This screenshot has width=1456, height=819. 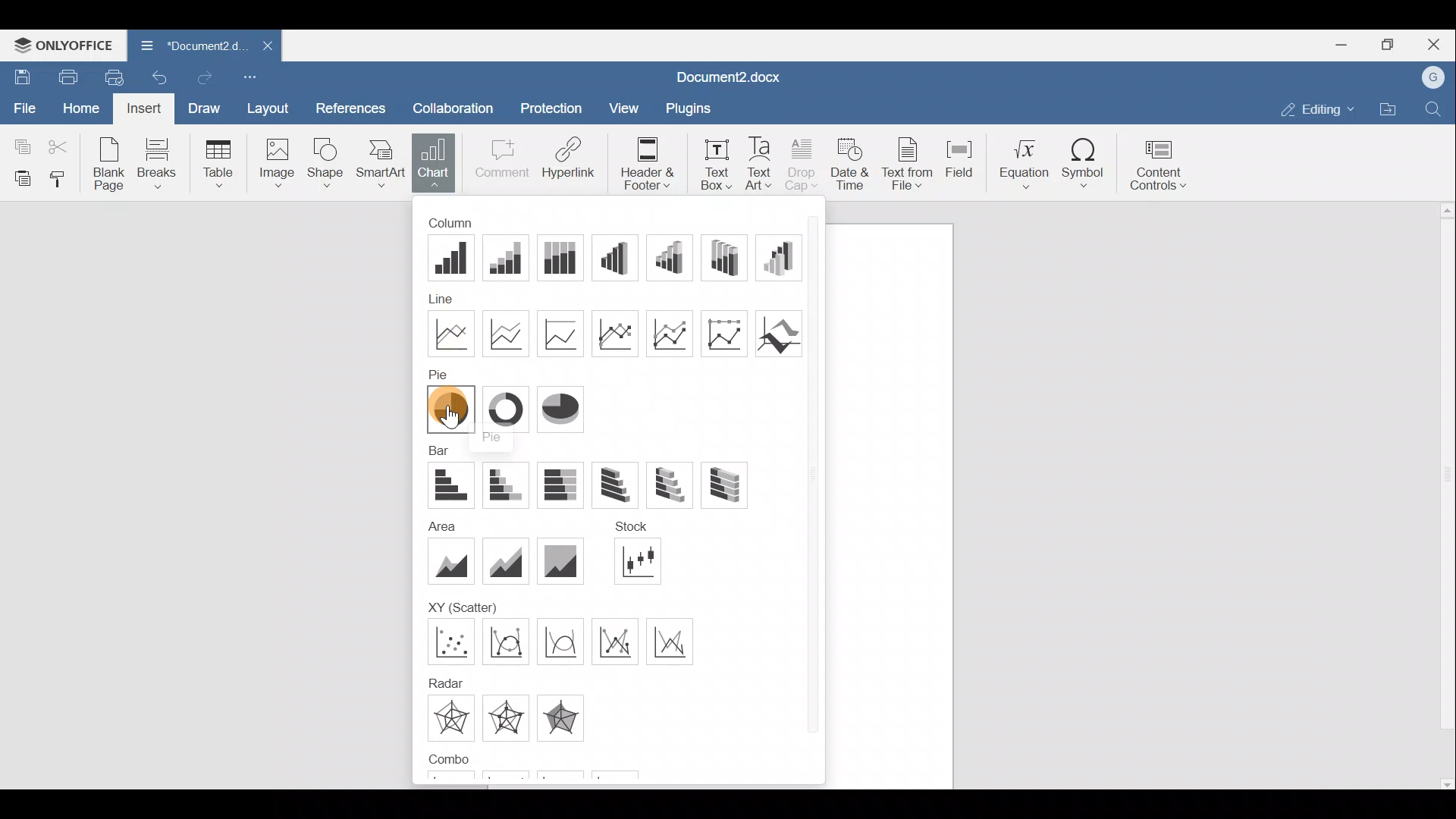 What do you see at coordinates (1436, 106) in the screenshot?
I see `Find` at bounding box center [1436, 106].